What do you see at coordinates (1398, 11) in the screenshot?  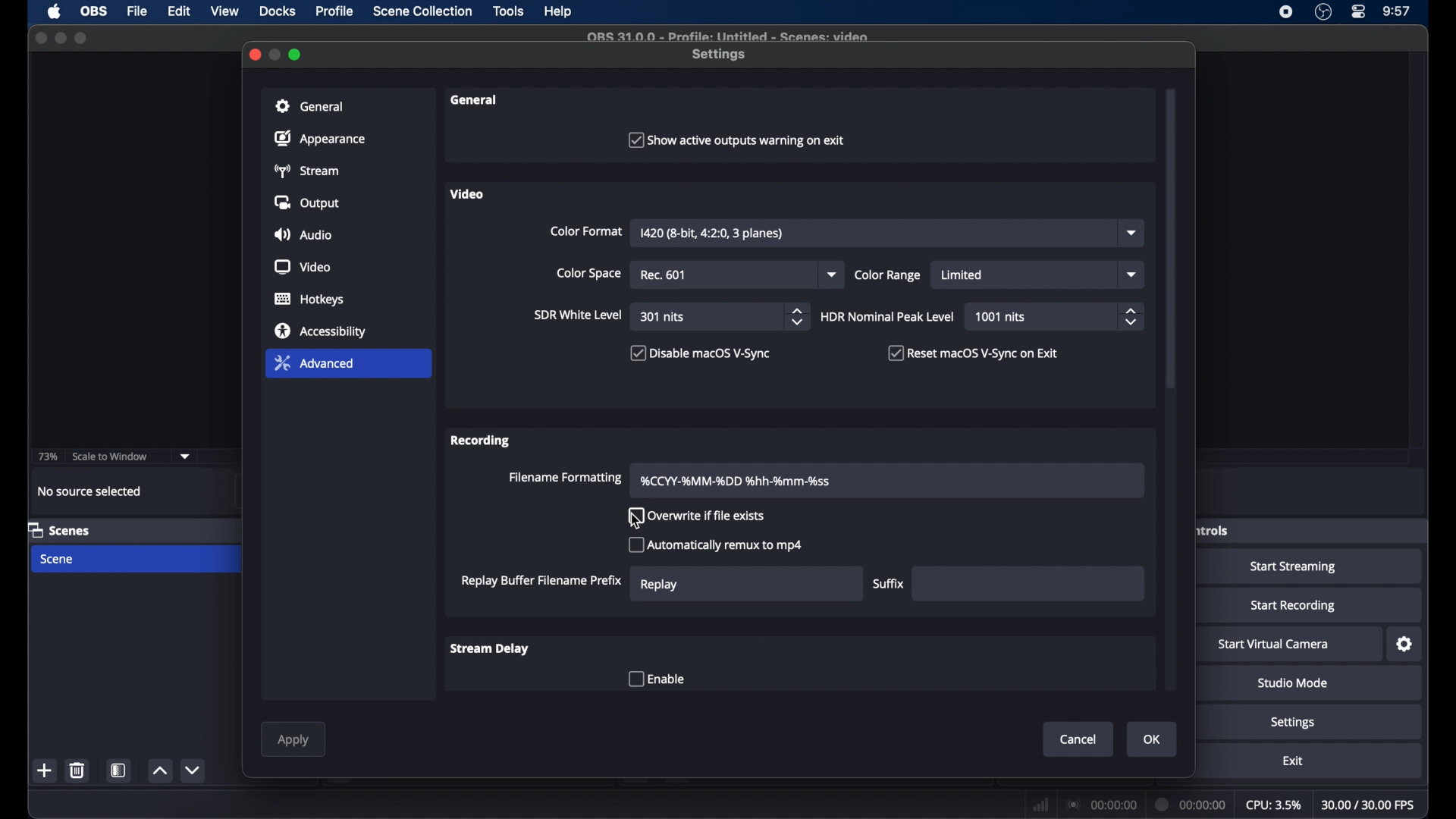 I see `time` at bounding box center [1398, 11].